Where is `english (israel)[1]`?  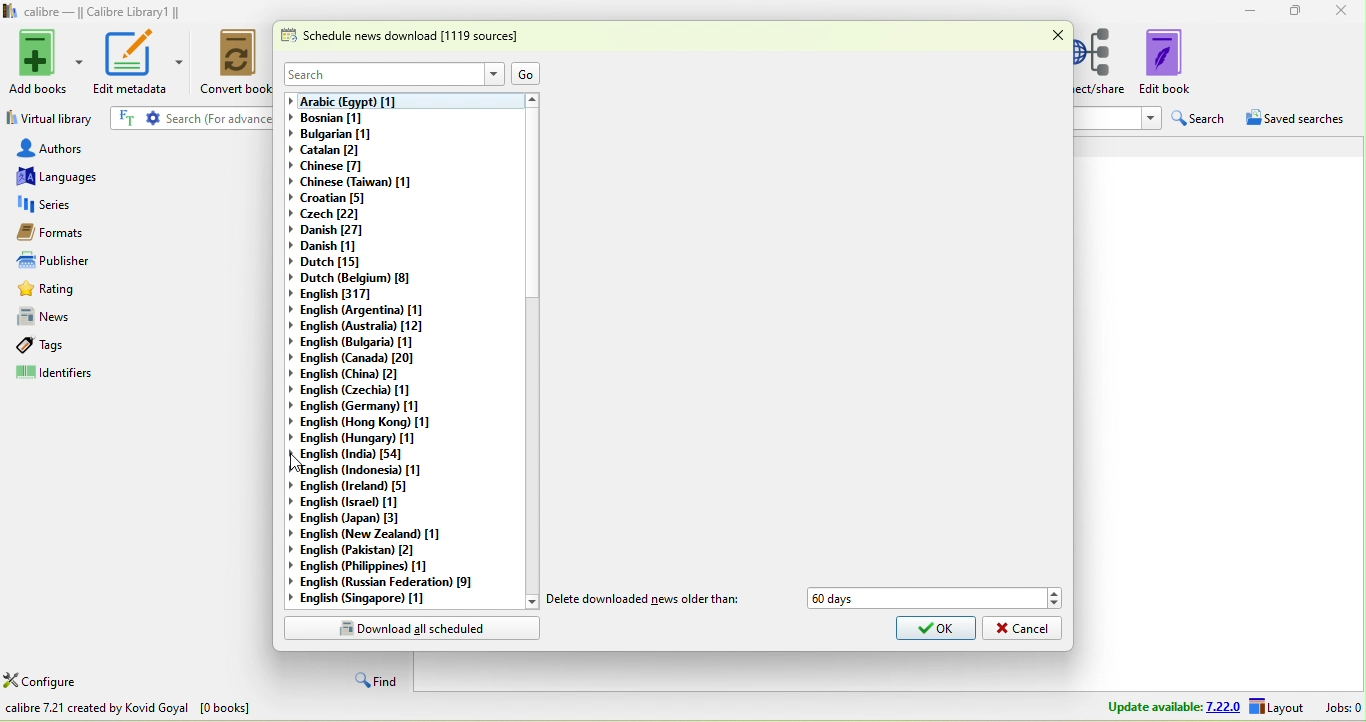
english (israel)[1] is located at coordinates (361, 503).